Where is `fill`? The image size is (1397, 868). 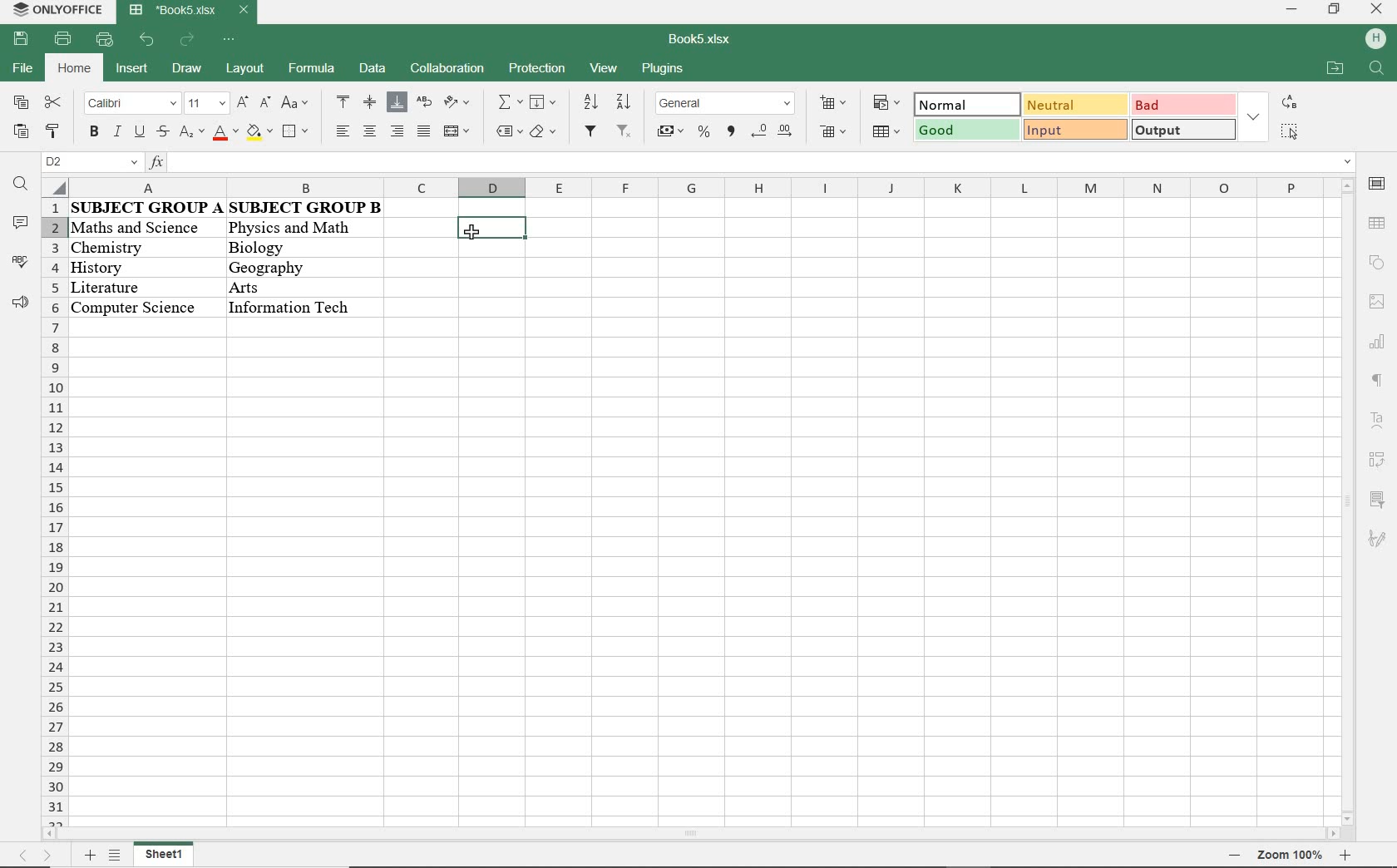 fill is located at coordinates (542, 101).